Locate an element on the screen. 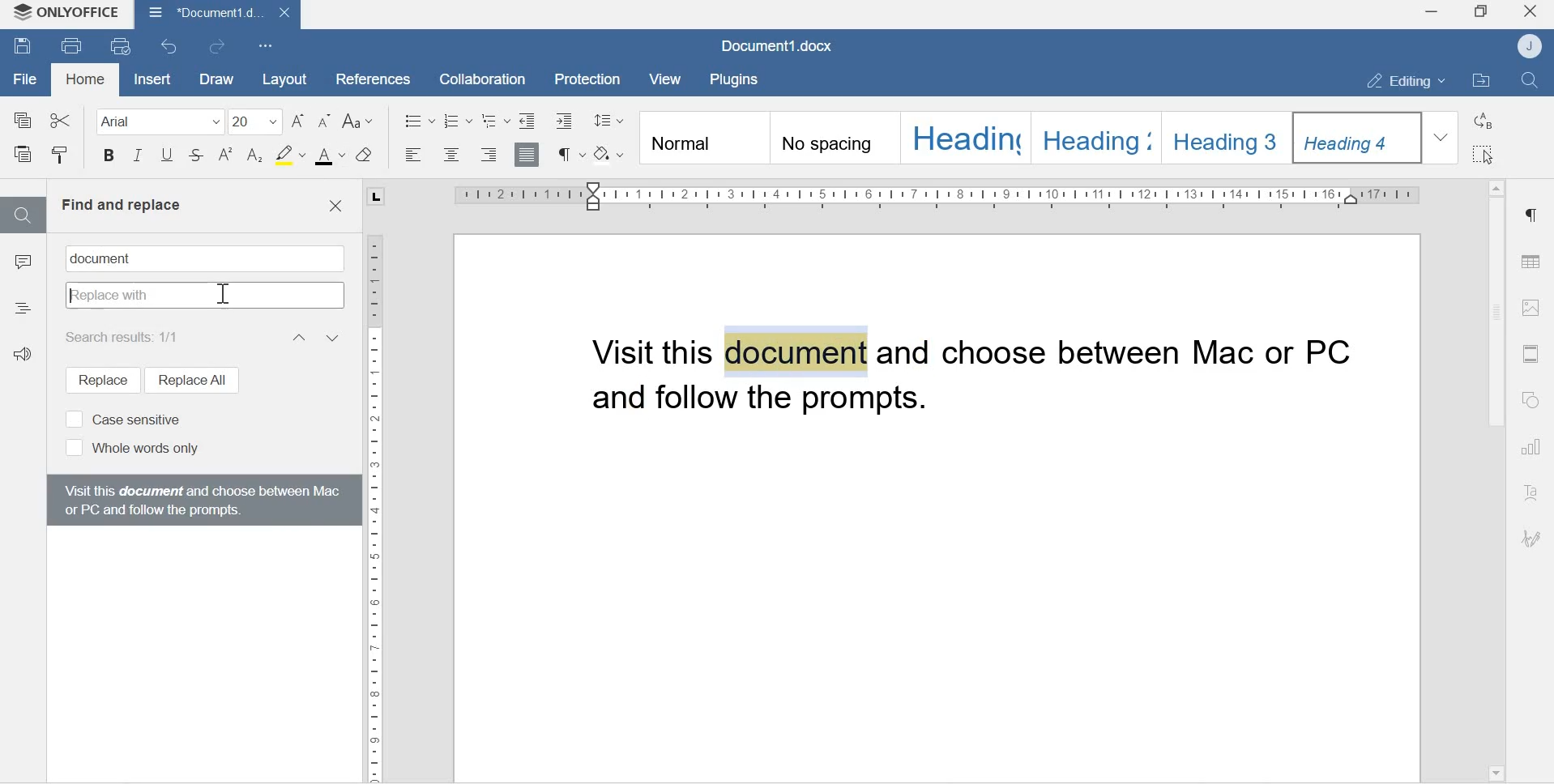 This screenshot has height=784, width=1554. Underline is located at coordinates (166, 159).